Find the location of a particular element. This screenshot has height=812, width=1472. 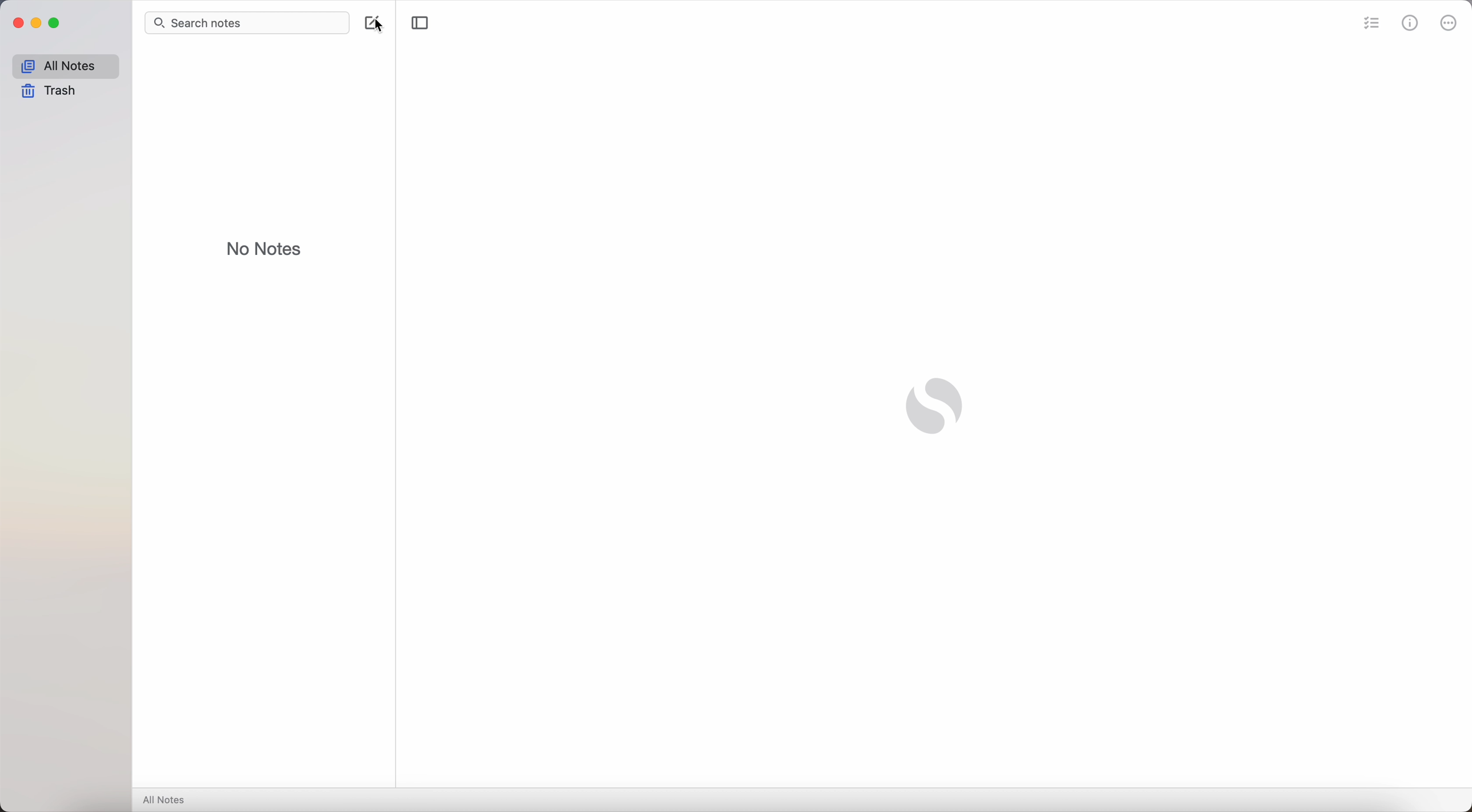

Simplenote is located at coordinates (934, 407).